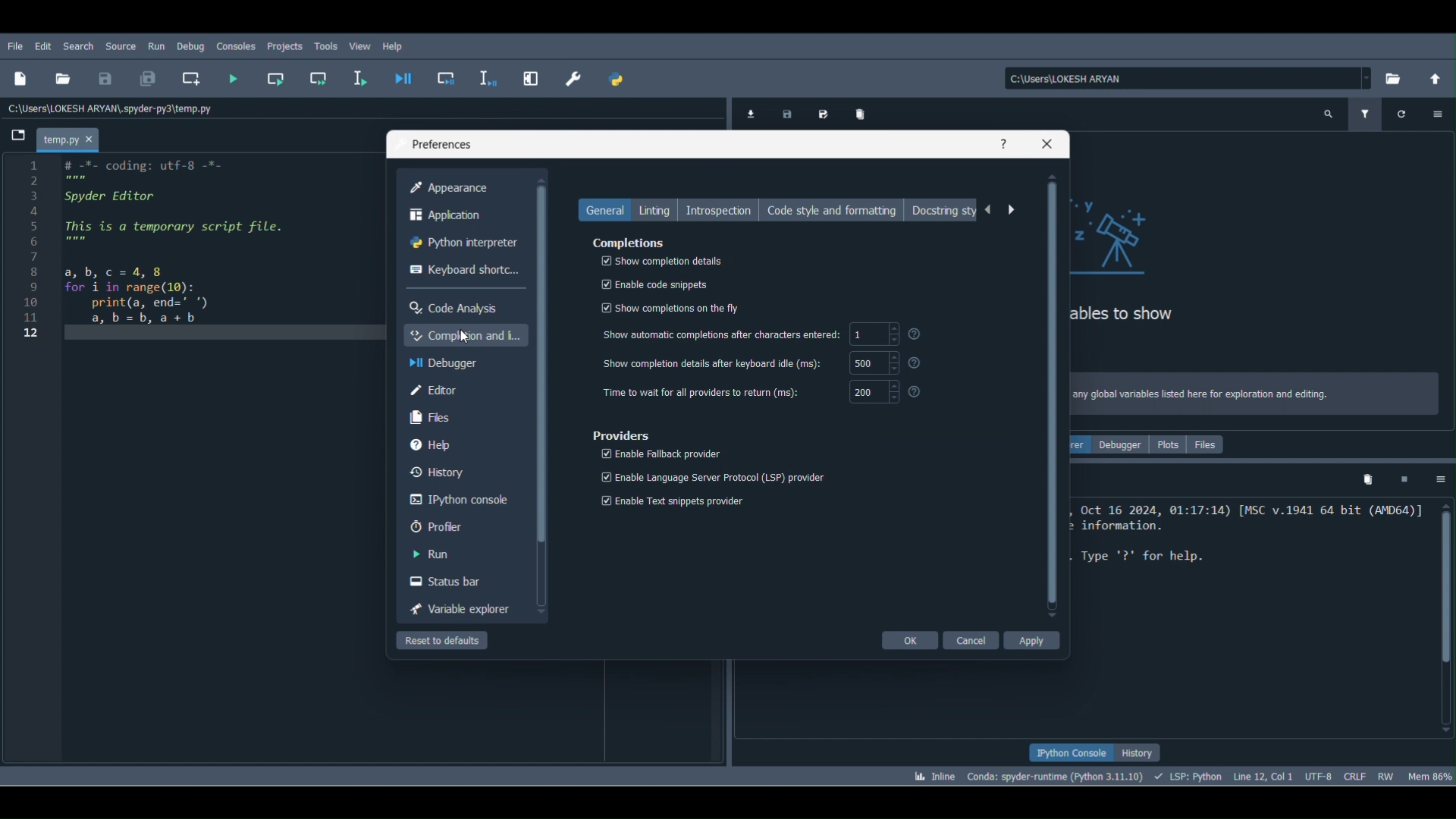  I want to click on File location, so click(110, 110).